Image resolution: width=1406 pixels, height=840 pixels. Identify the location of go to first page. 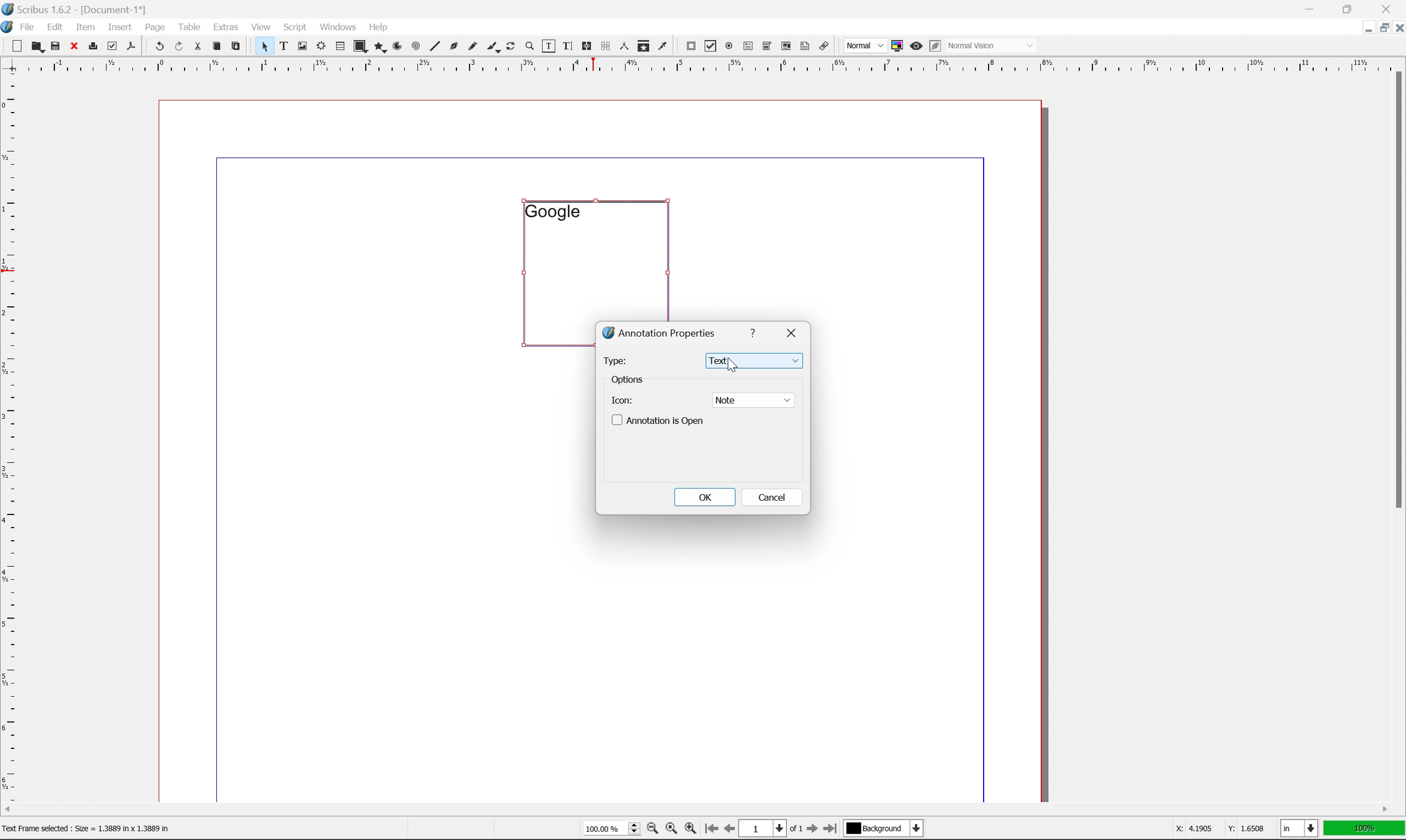
(710, 829).